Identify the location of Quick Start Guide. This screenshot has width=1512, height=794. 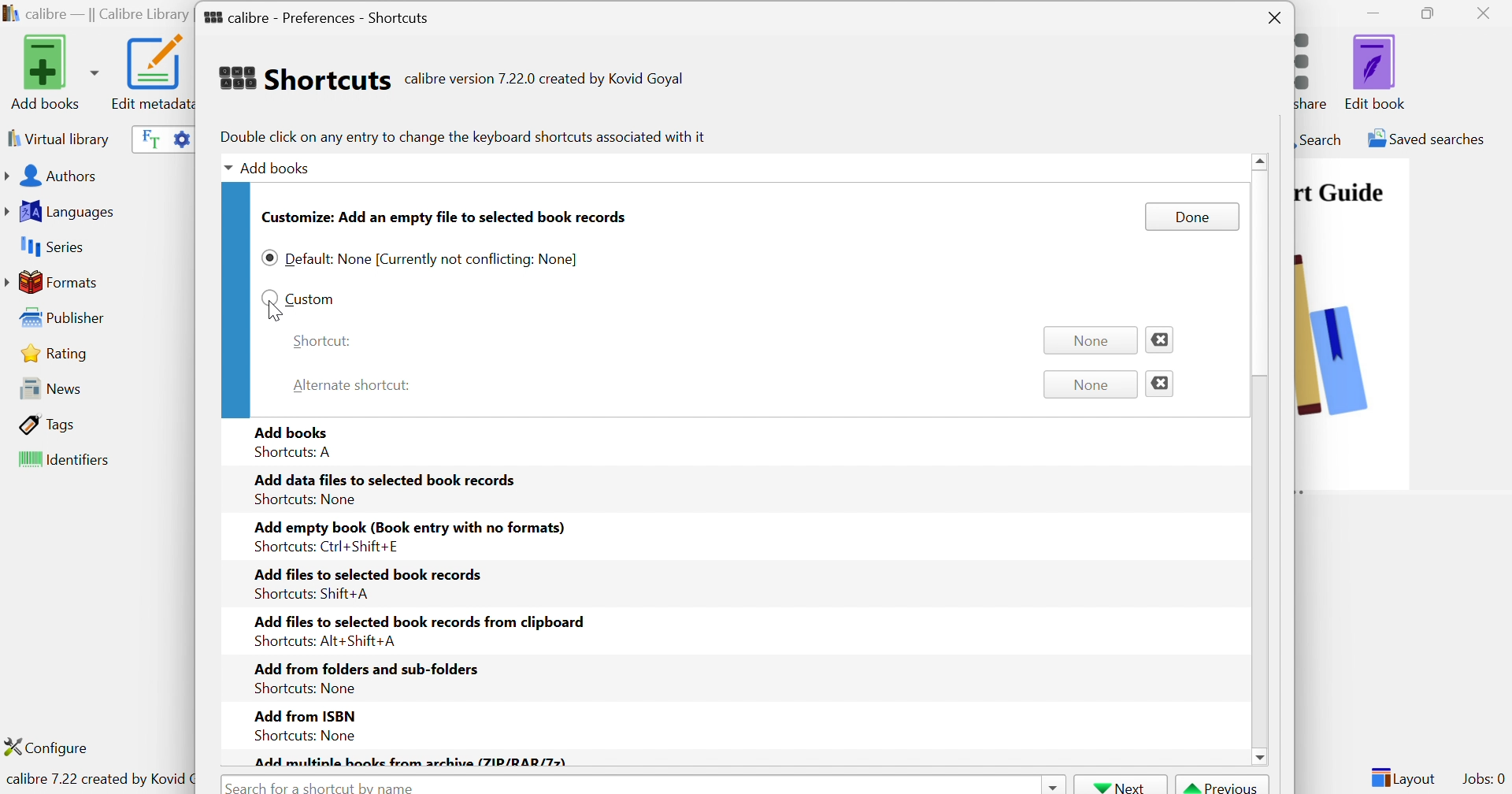
(1340, 192).